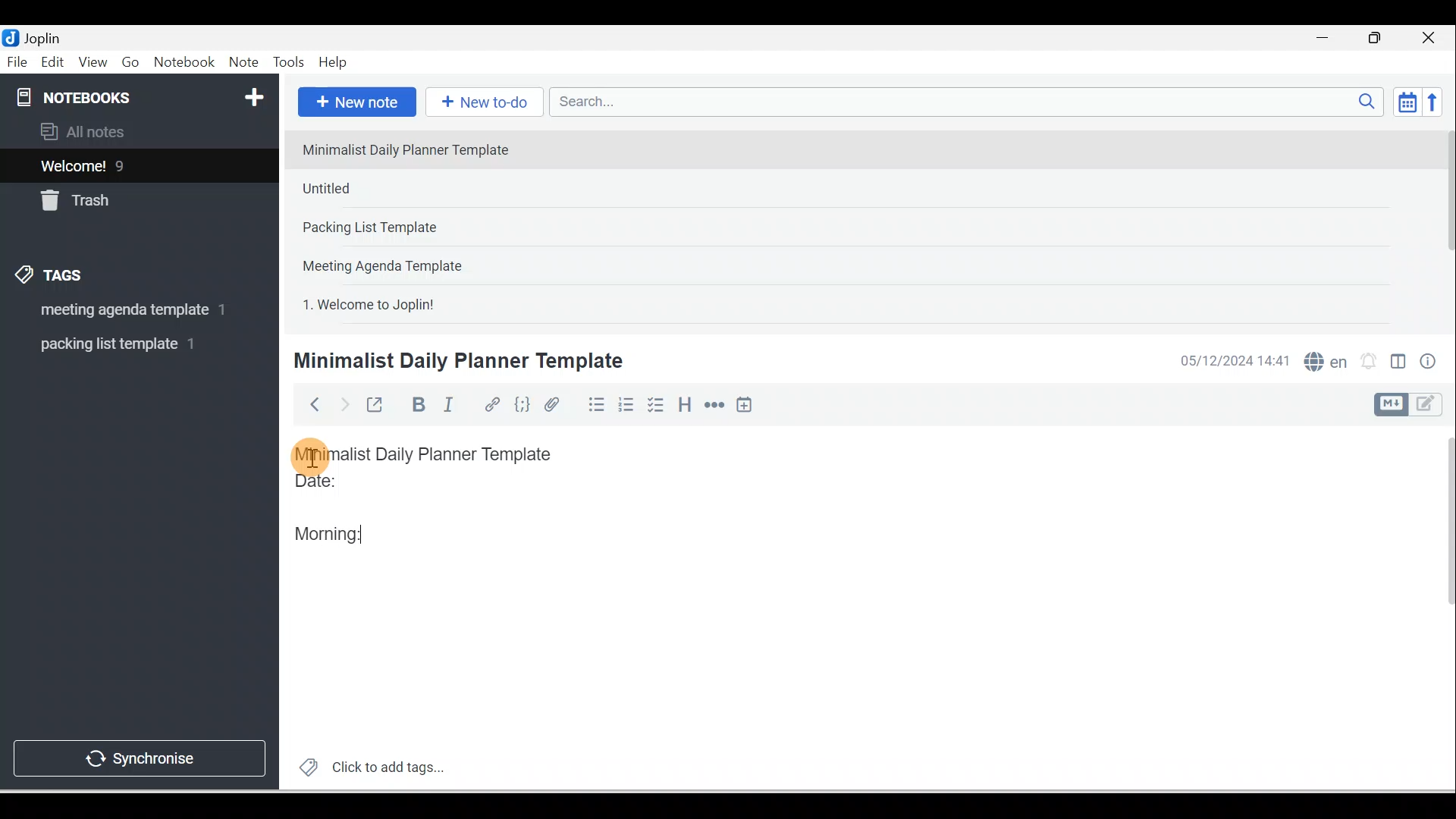  What do you see at coordinates (1407, 101) in the screenshot?
I see `Toggle sort order` at bounding box center [1407, 101].